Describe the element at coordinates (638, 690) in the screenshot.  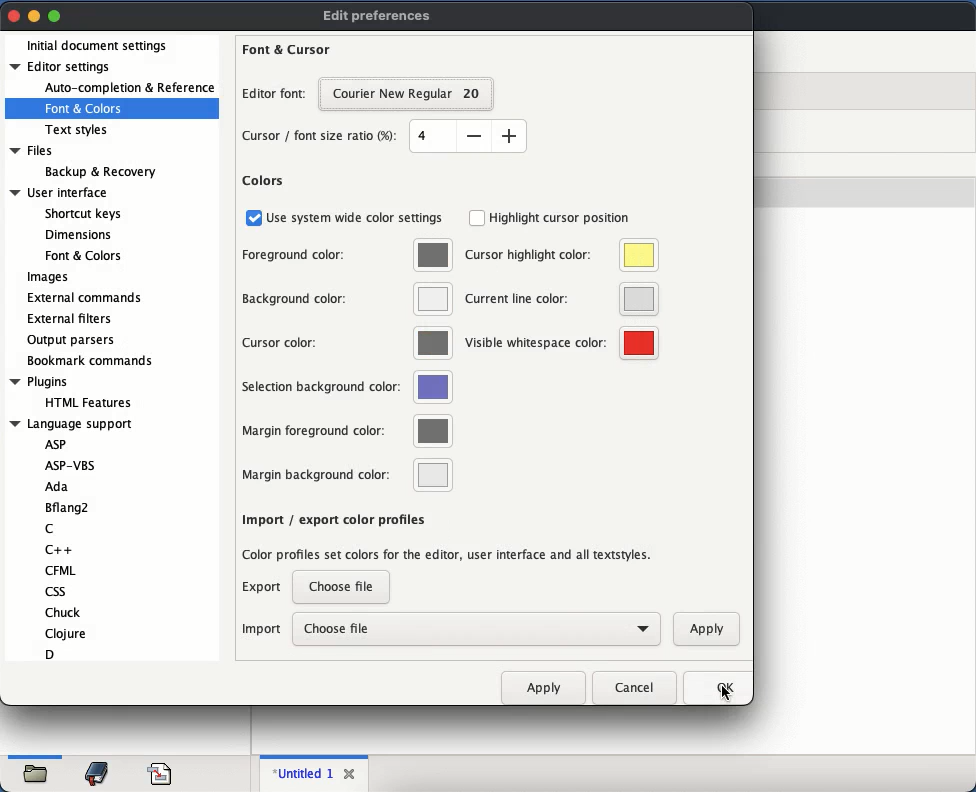
I see `cancel` at that location.